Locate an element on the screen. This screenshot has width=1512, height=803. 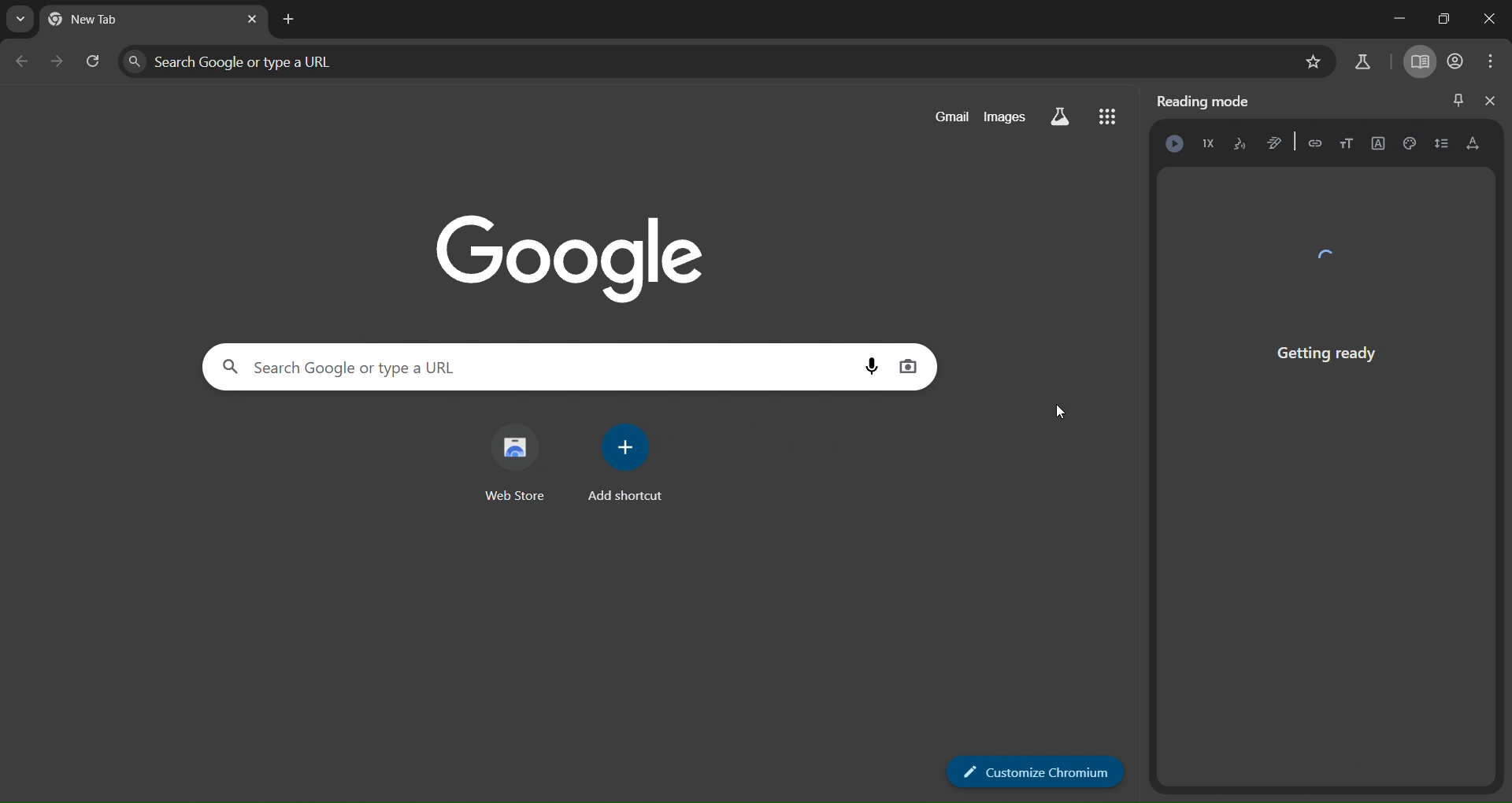
search labs is located at coordinates (1362, 58).